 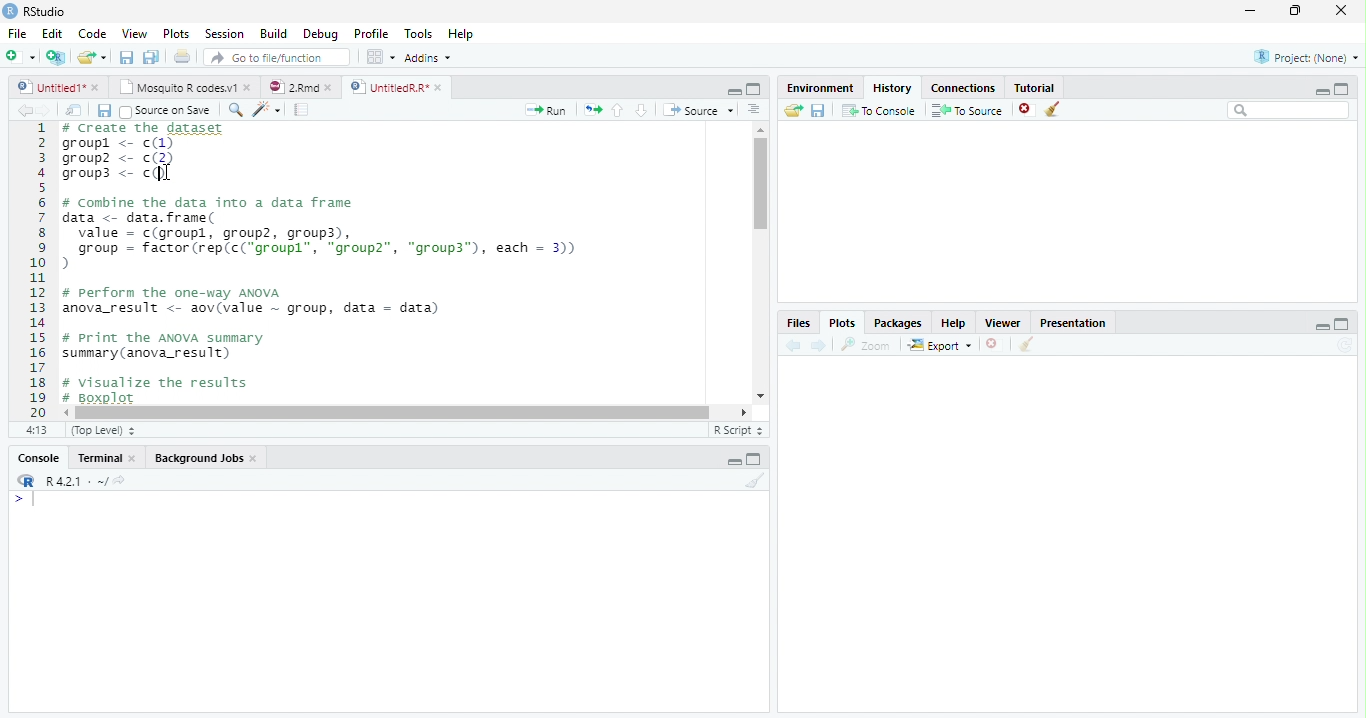 I want to click on Print  the current file, so click(x=183, y=57).